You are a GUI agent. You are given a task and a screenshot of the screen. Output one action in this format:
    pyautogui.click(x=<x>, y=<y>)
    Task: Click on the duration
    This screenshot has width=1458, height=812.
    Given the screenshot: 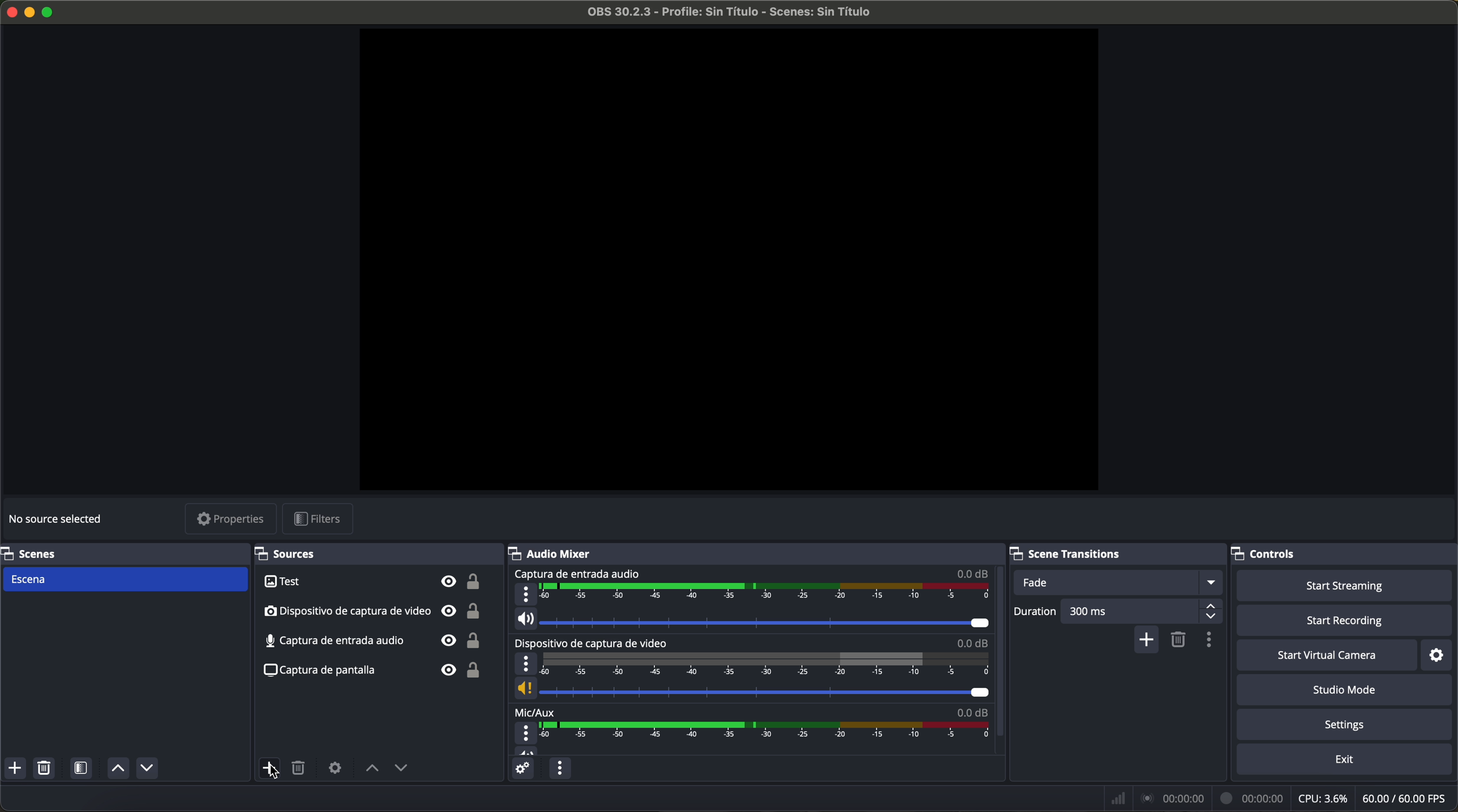 What is the action you would take?
    pyautogui.click(x=1037, y=613)
    